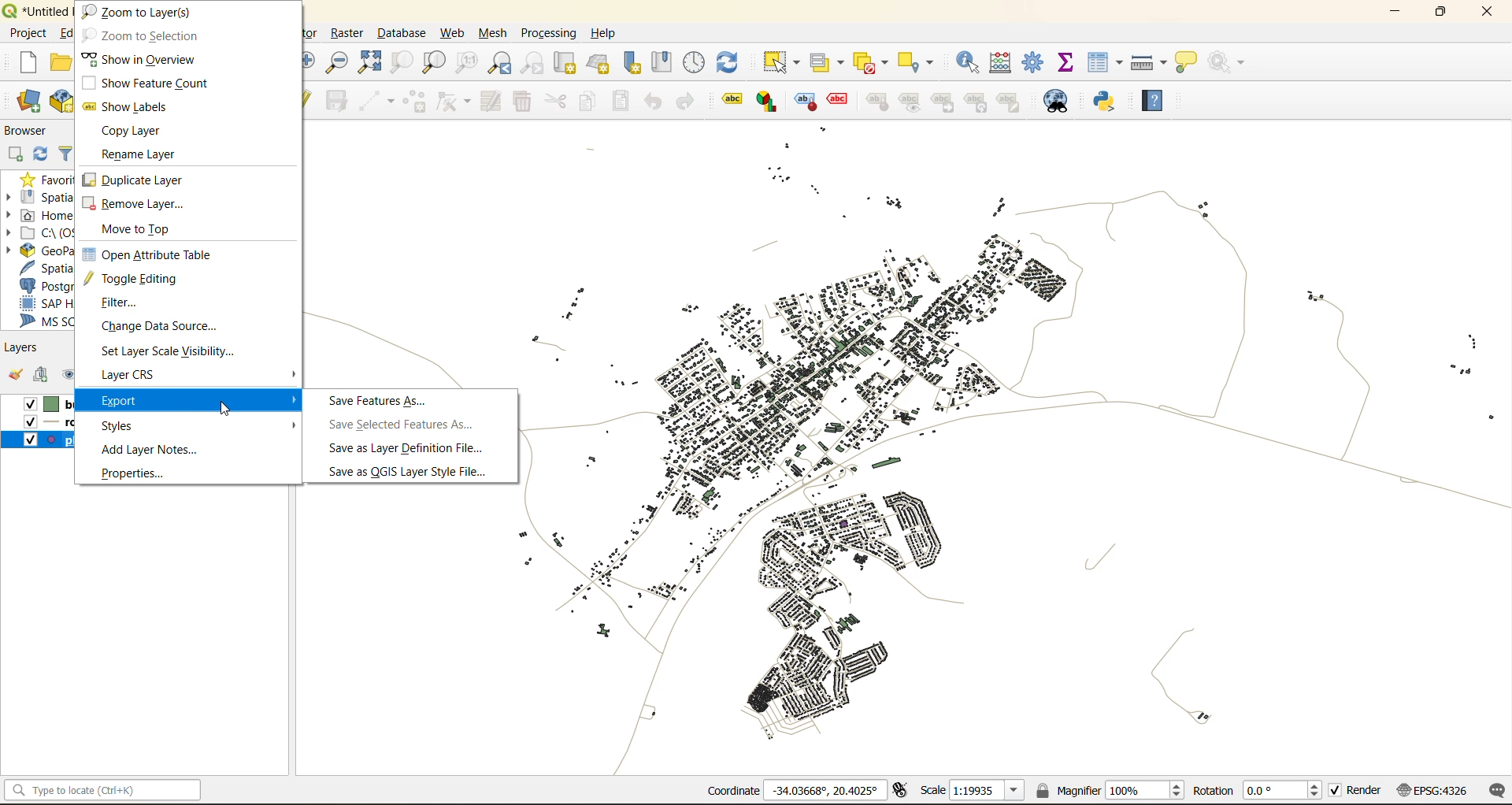 This screenshot has height=805, width=1512. I want to click on cursor, so click(230, 411).